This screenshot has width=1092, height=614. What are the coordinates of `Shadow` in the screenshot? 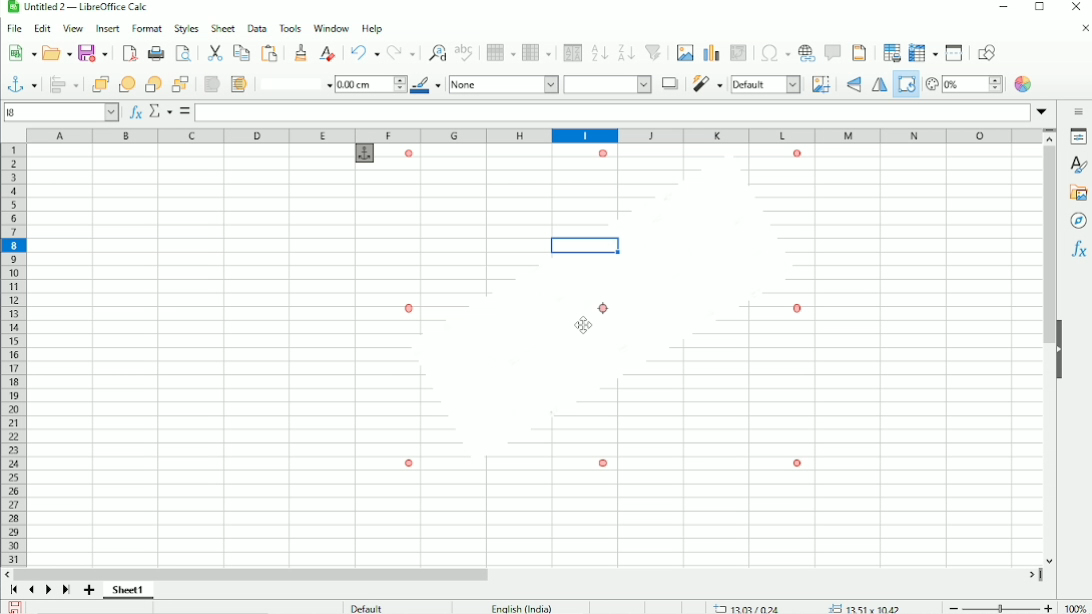 It's located at (670, 84).